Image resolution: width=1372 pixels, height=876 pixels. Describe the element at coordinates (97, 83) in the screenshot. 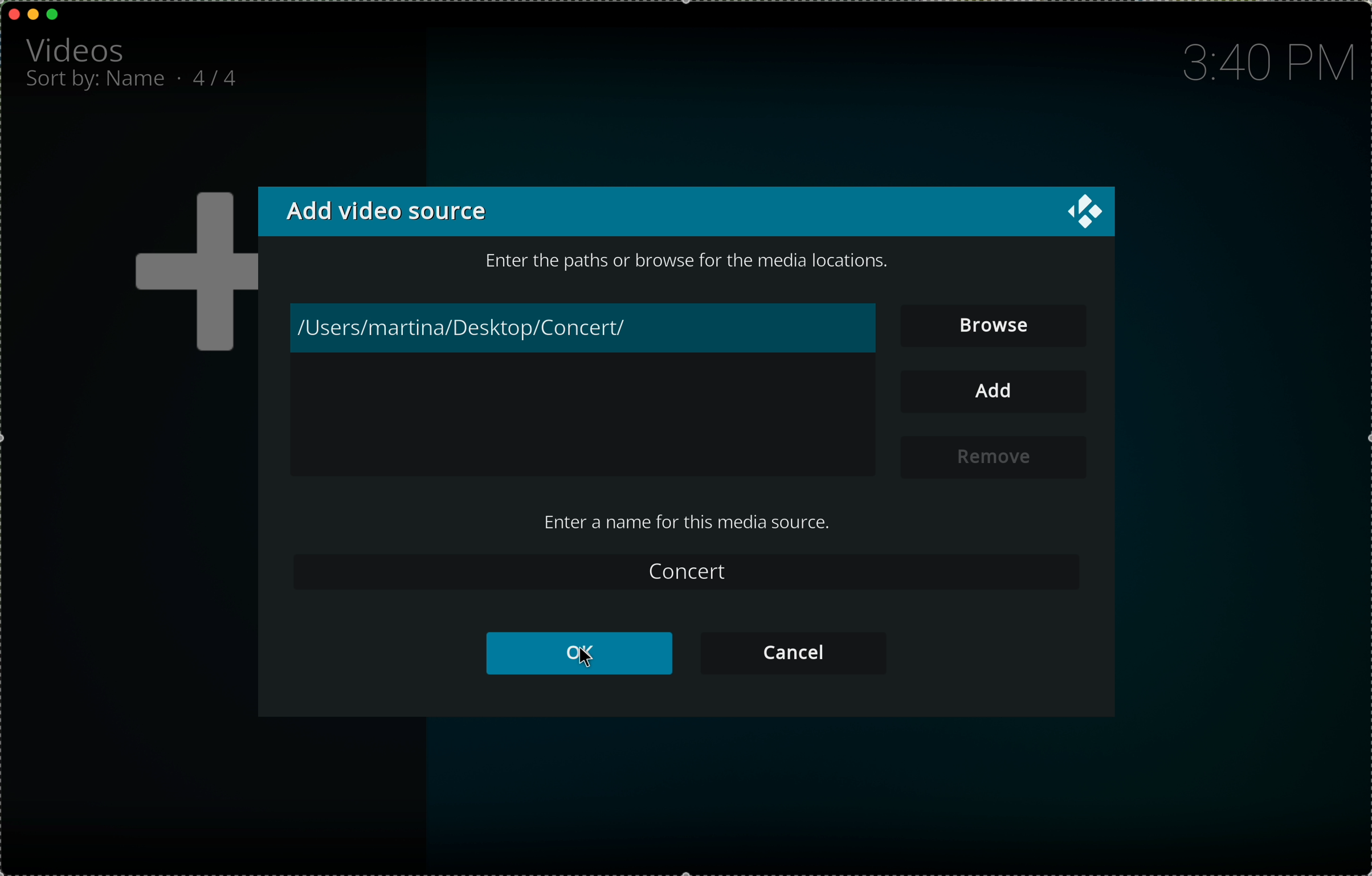

I see `sort by: name` at that location.